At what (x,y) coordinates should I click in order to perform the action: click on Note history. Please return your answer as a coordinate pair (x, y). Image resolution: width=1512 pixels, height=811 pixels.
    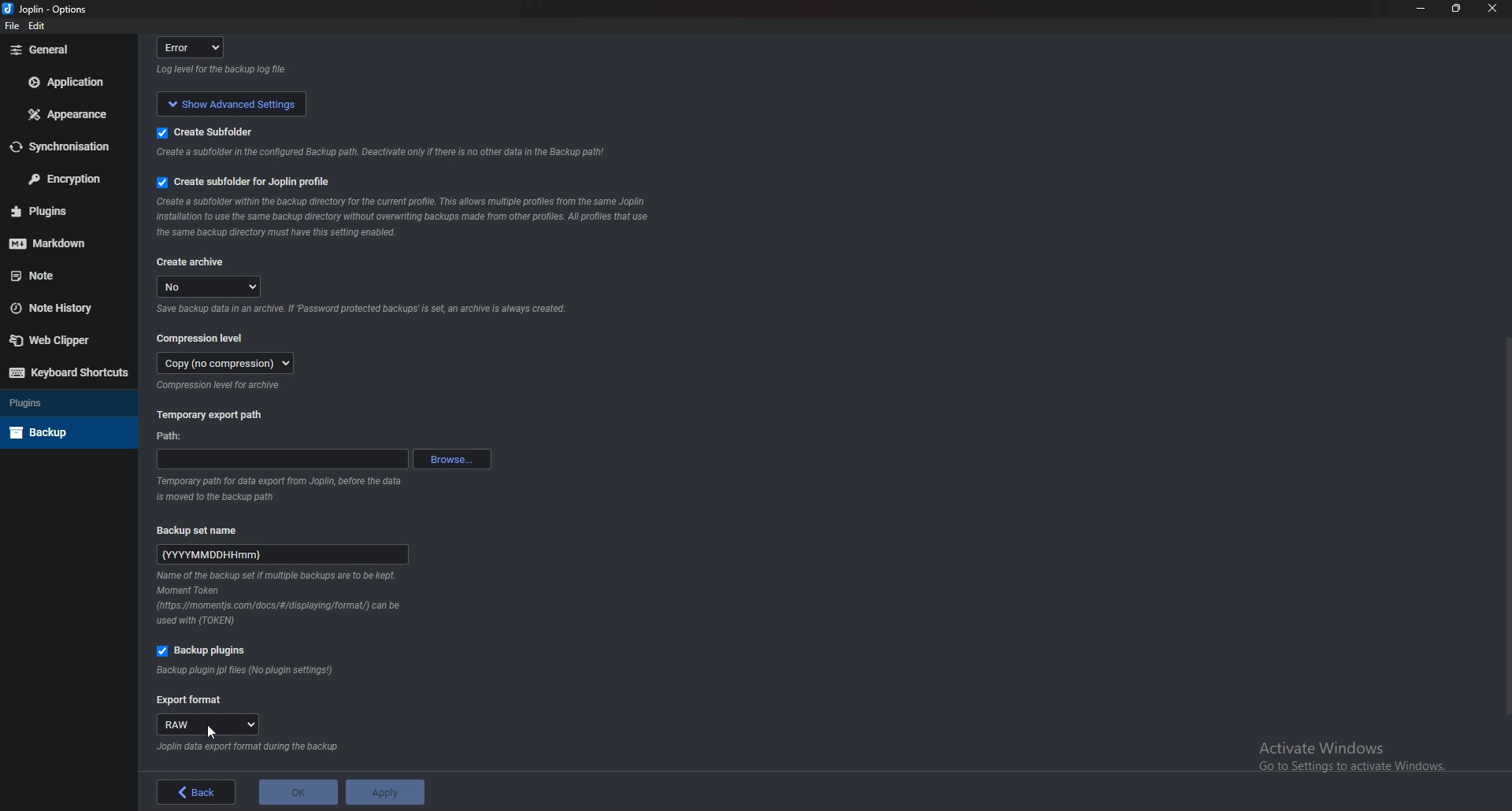
    Looking at the image, I should click on (61, 308).